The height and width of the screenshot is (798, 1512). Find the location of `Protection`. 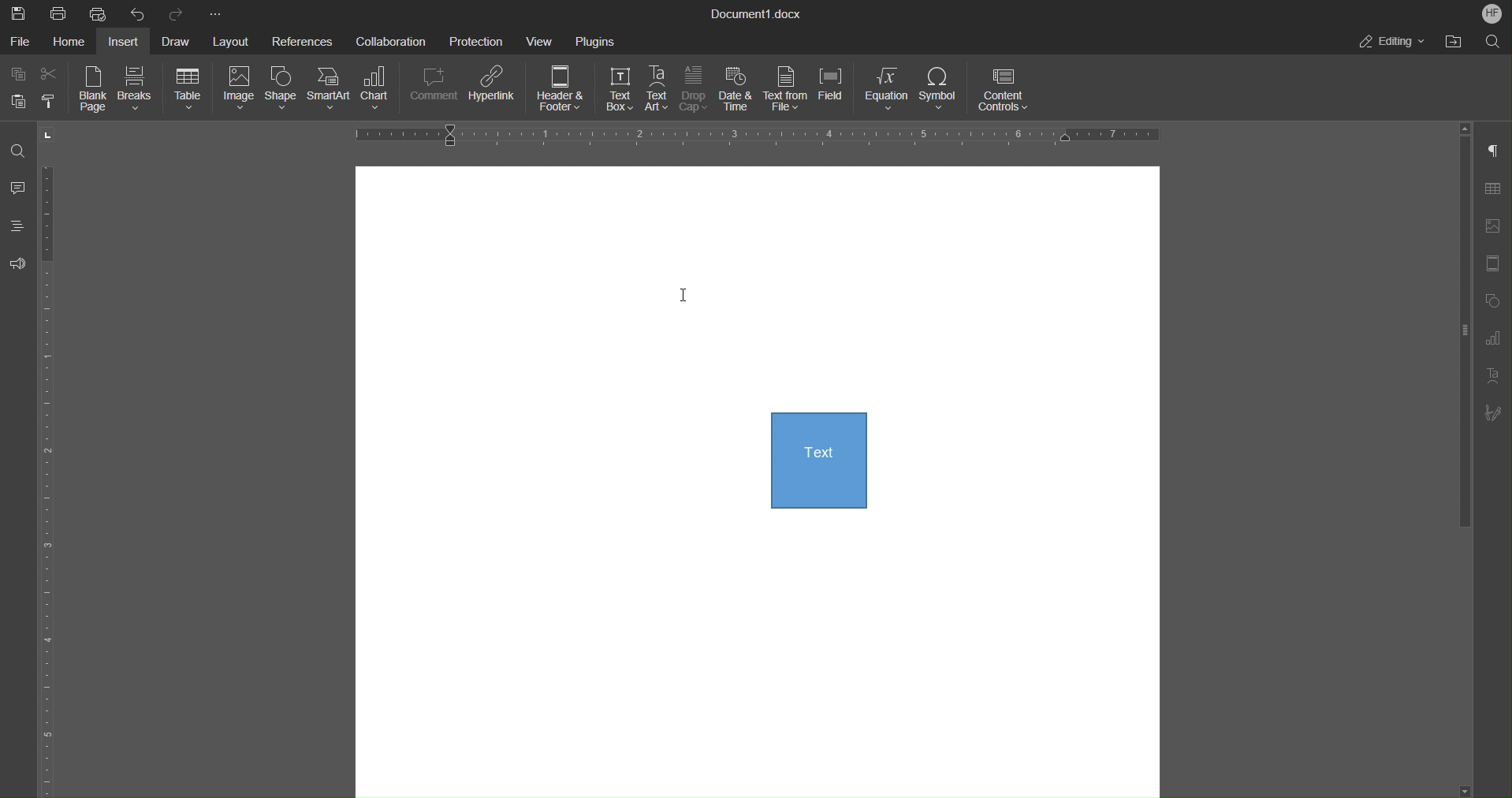

Protection is located at coordinates (478, 40).